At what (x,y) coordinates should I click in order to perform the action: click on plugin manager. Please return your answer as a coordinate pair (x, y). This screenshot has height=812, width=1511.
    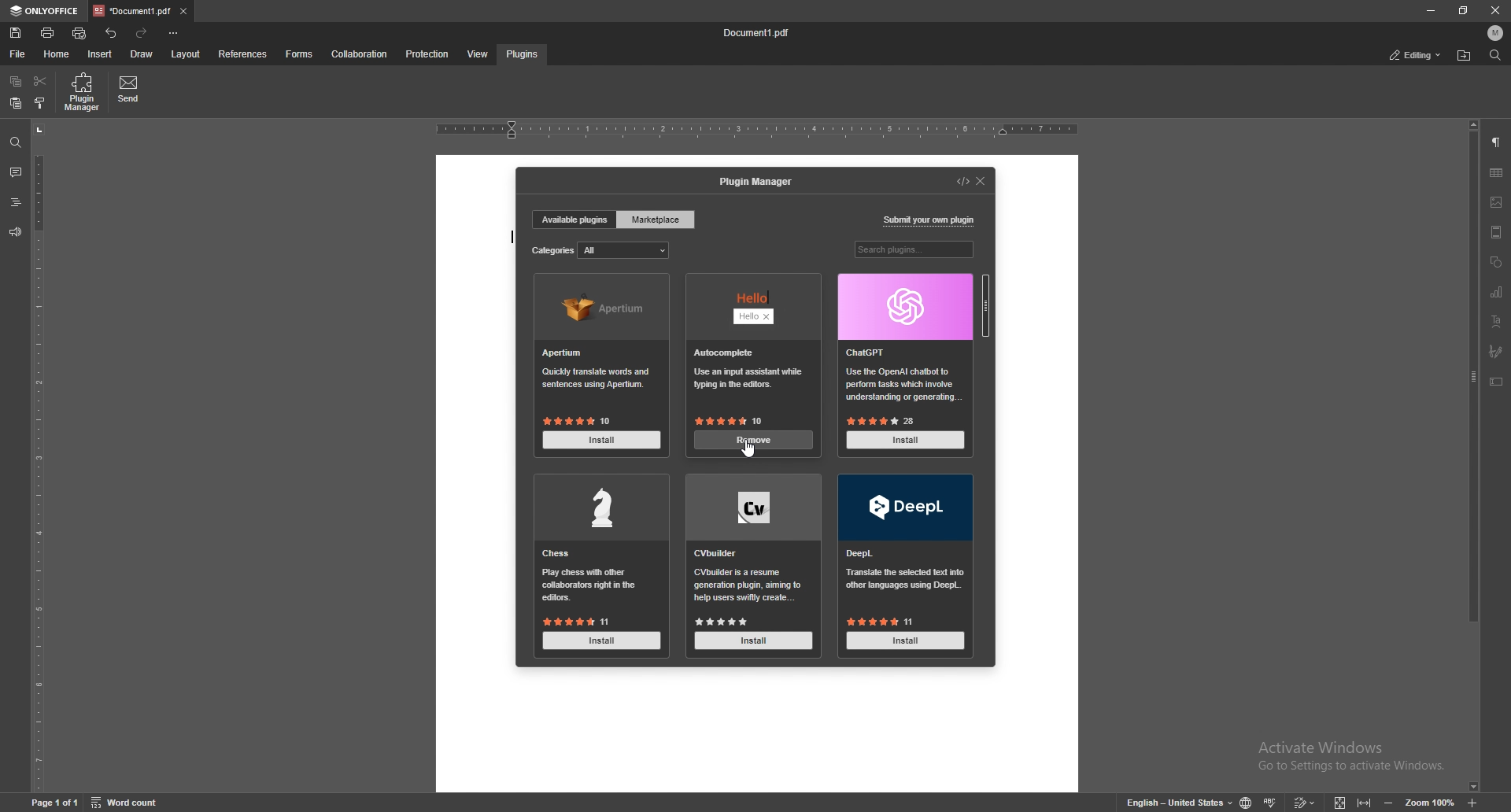
    Looking at the image, I should click on (755, 183).